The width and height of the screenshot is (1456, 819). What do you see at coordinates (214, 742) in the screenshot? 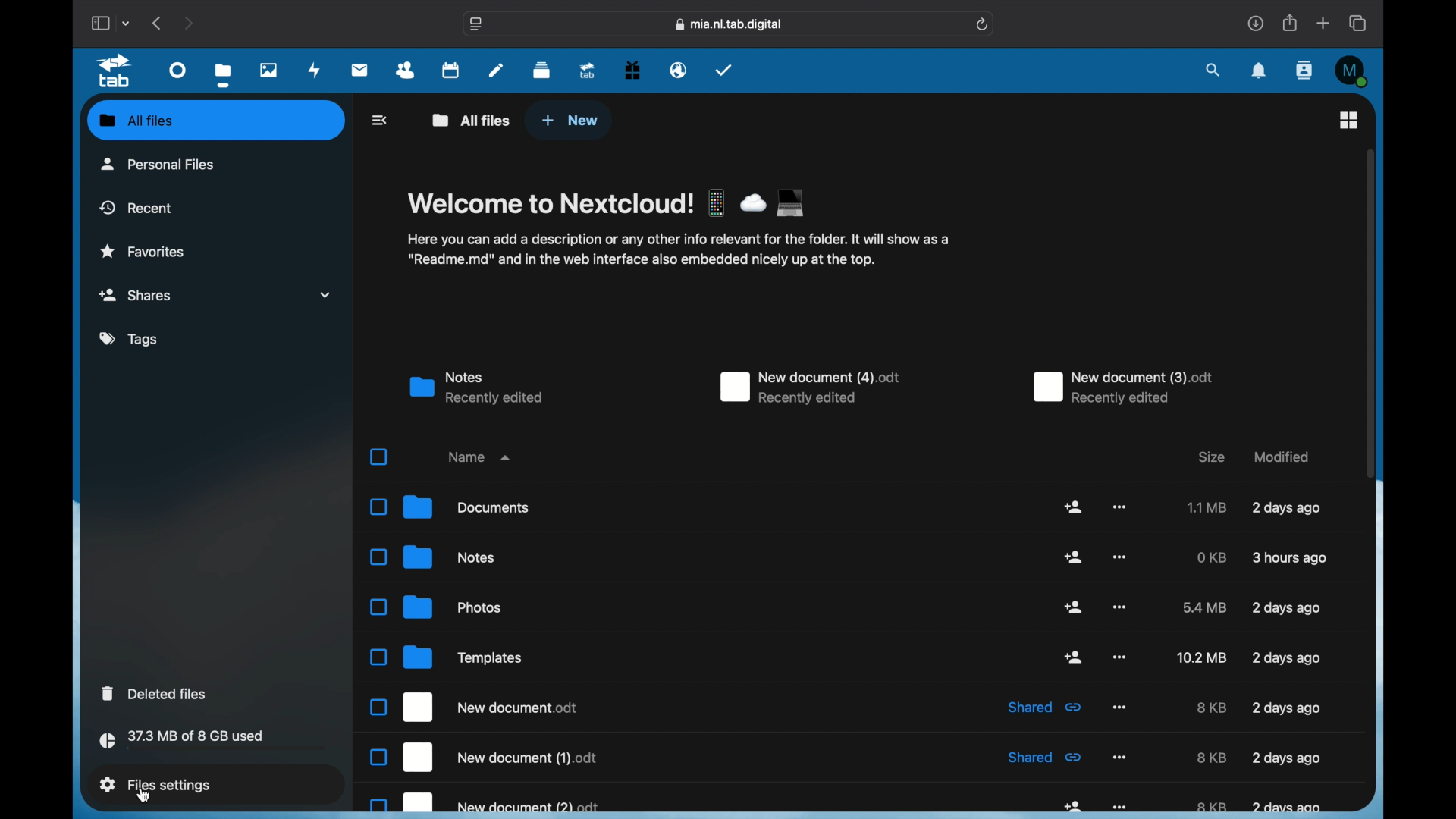
I see `storage` at bounding box center [214, 742].